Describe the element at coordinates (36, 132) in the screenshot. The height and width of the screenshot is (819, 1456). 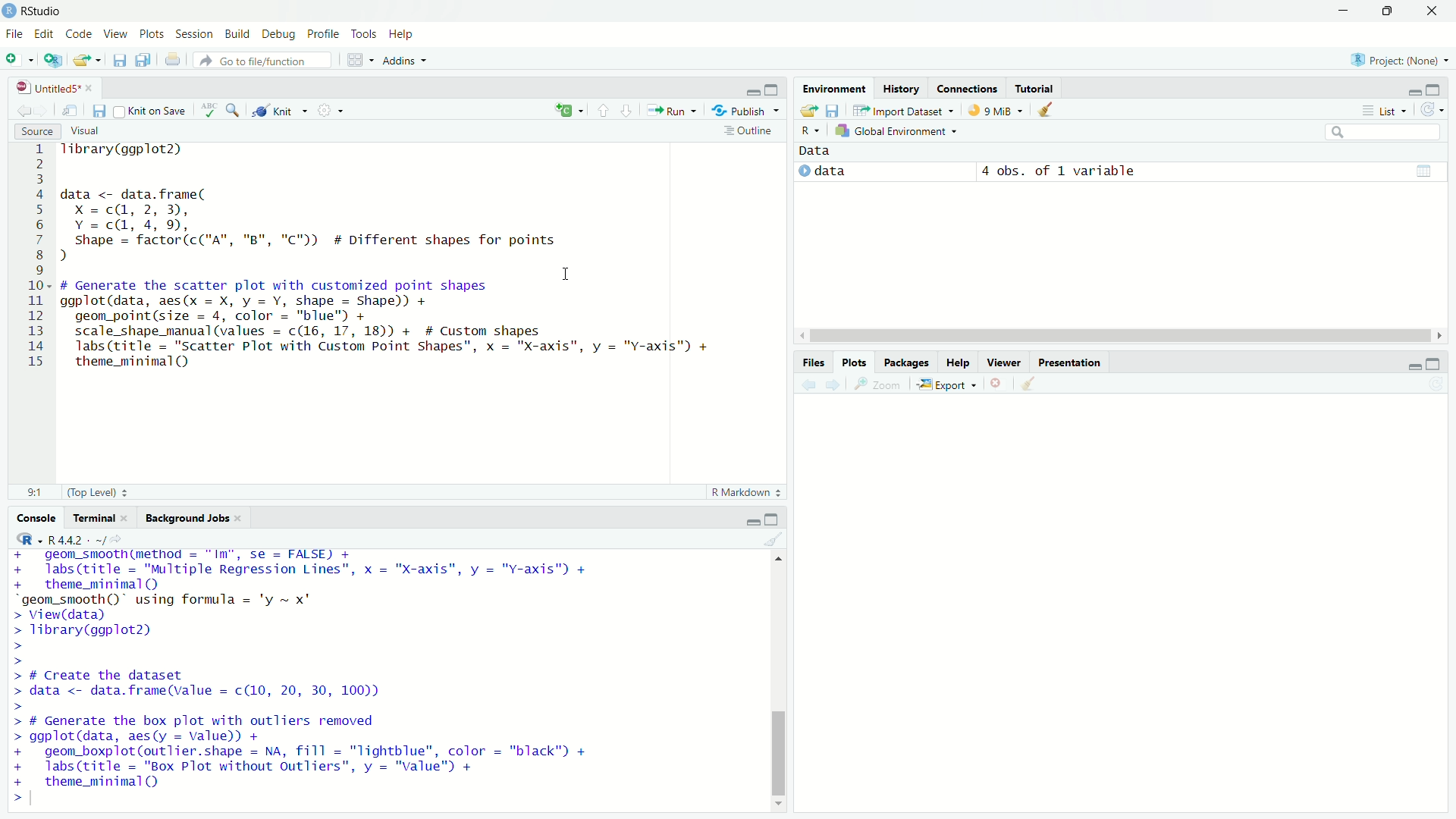
I see `Source` at that location.